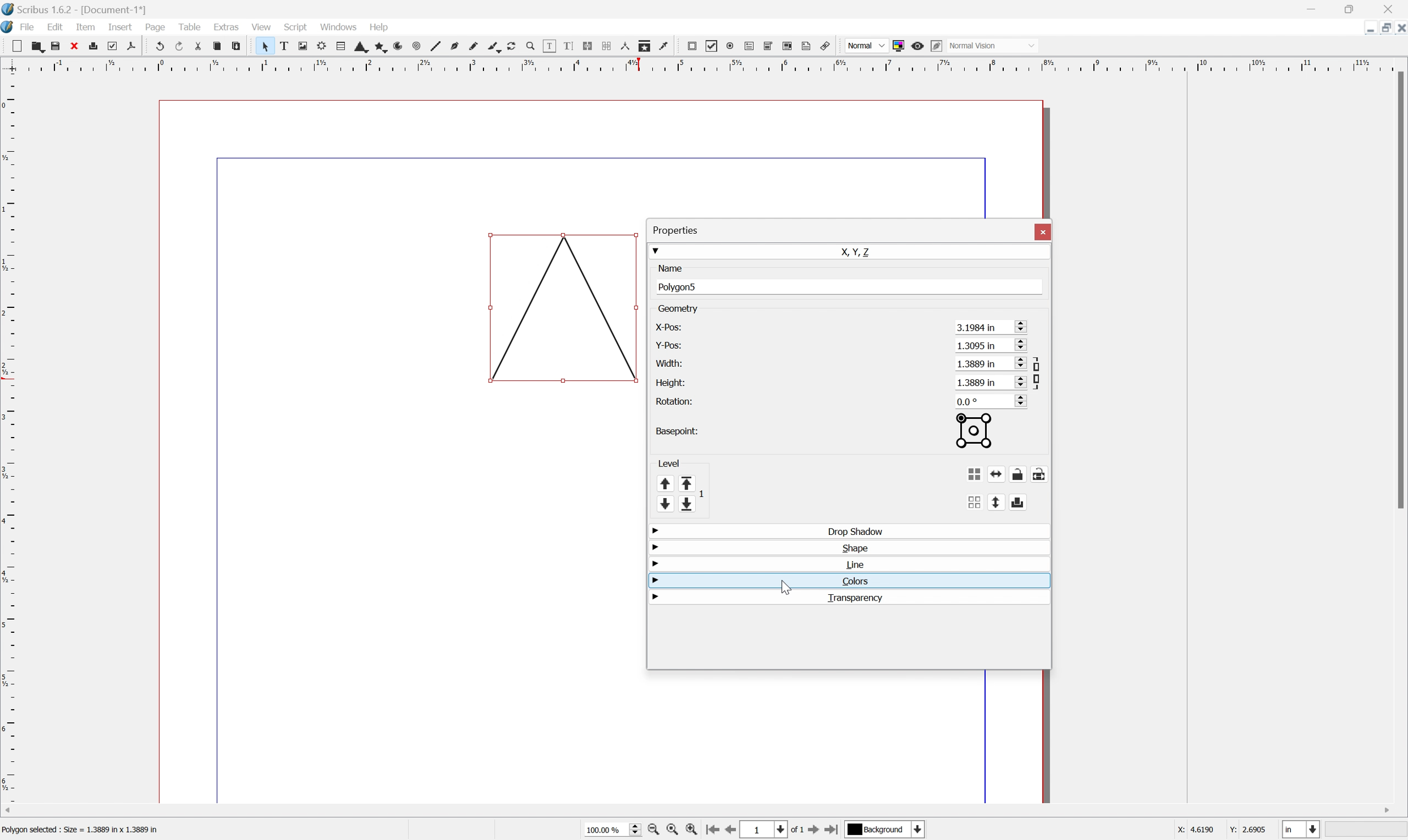  What do you see at coordinates (878, 829) in the screenshot?
I see `Background` at bounding box center [878, 829].